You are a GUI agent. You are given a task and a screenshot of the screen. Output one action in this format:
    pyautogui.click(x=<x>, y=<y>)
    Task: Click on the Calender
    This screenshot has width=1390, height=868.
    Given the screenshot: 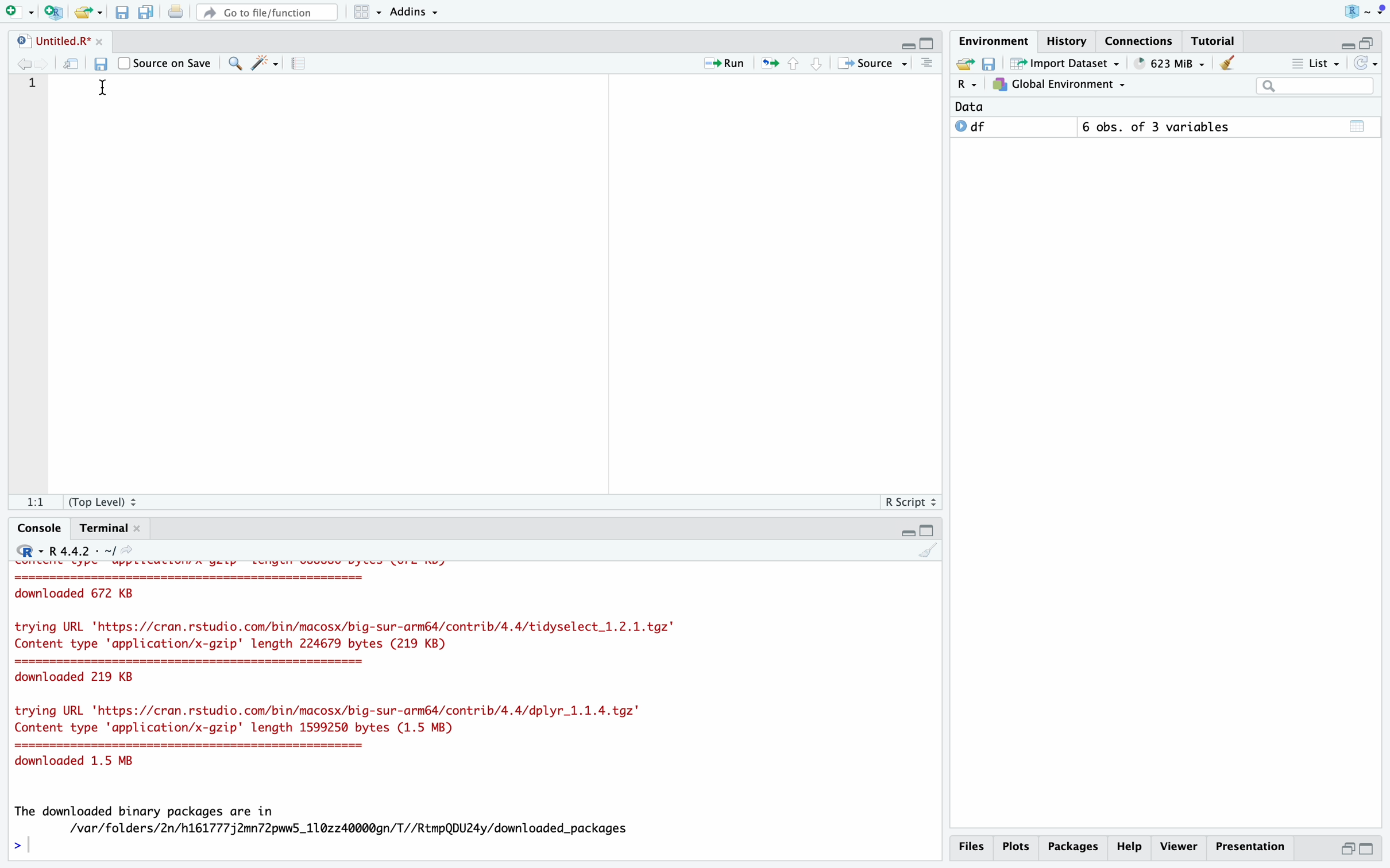 What is the action you would take?
    pyautogui.click(x=1359, y=127)
    